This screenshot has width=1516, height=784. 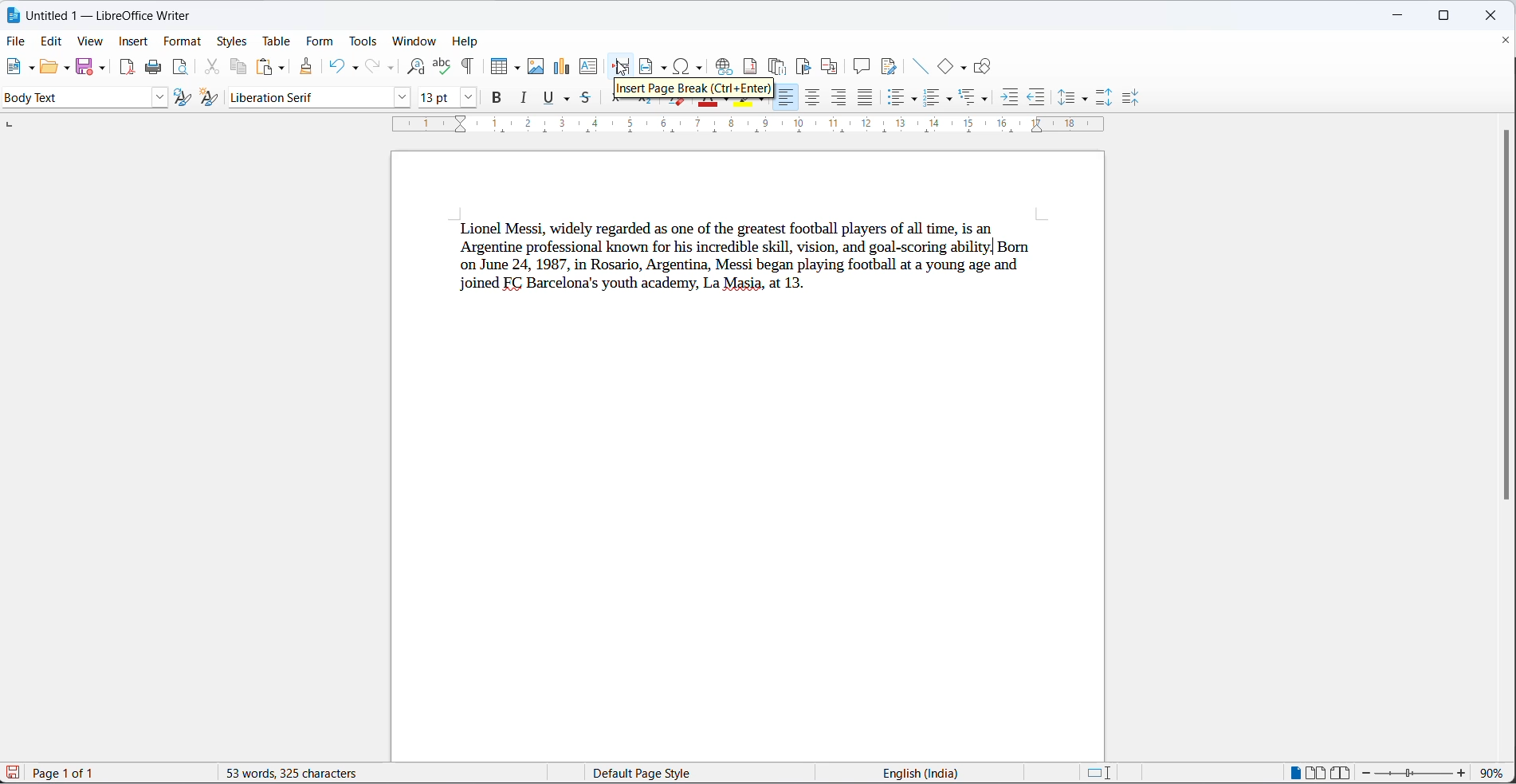 I want to click on show track changes function, so click(x=890, y=67).